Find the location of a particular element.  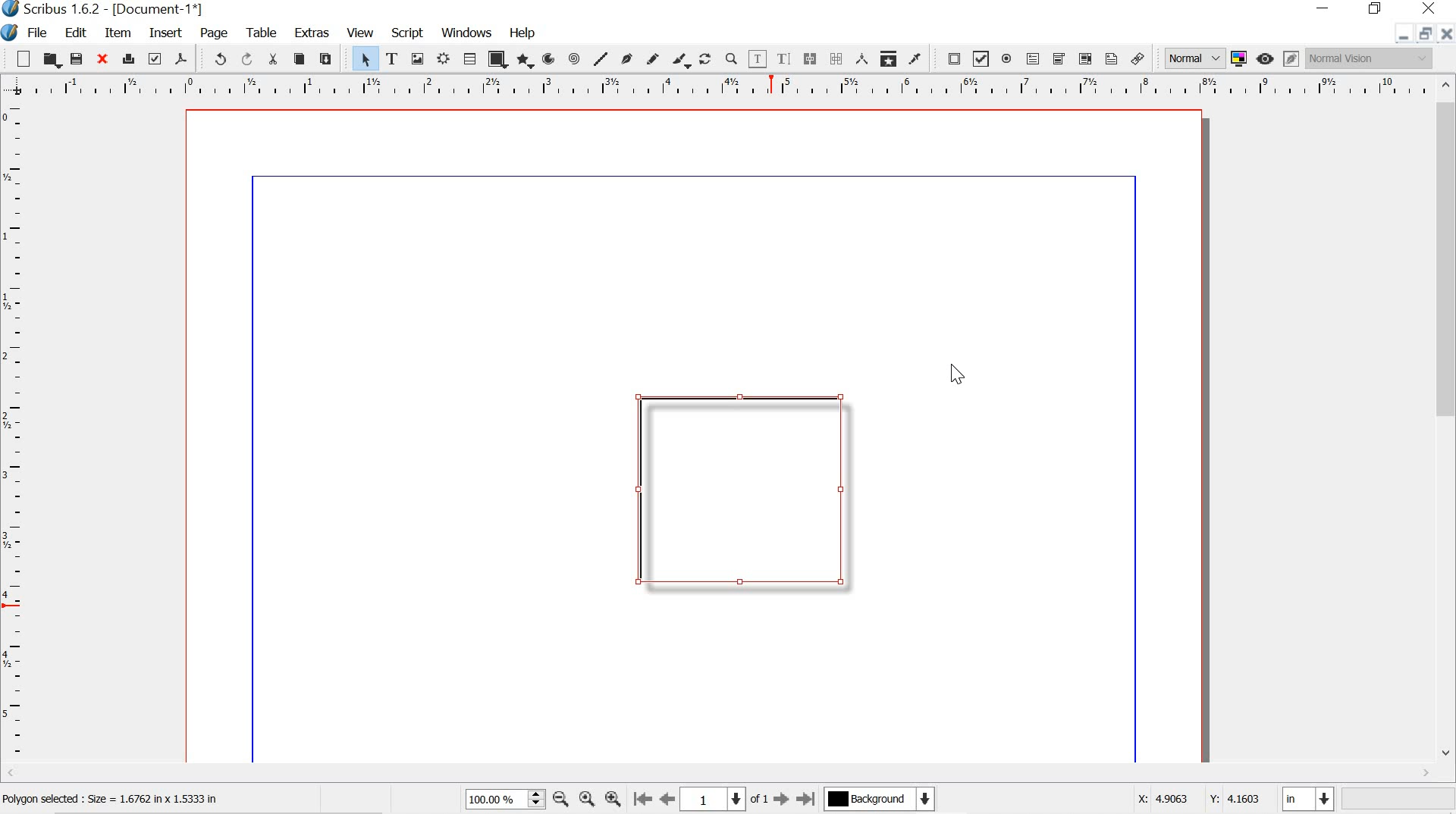

text frame is located at coordinates (392, 58).